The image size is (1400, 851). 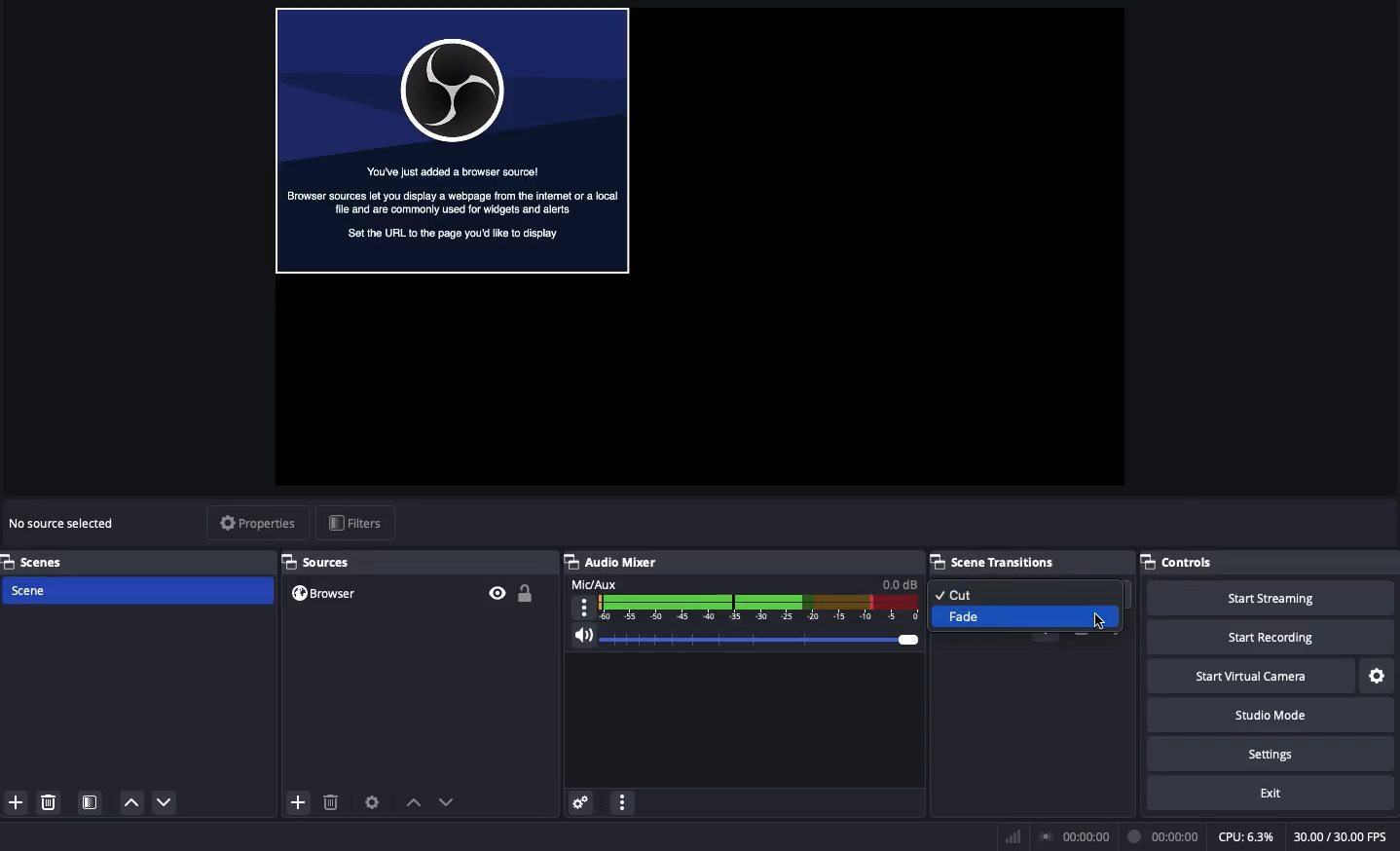 I want to click on filters, so click(x=360, y=524).